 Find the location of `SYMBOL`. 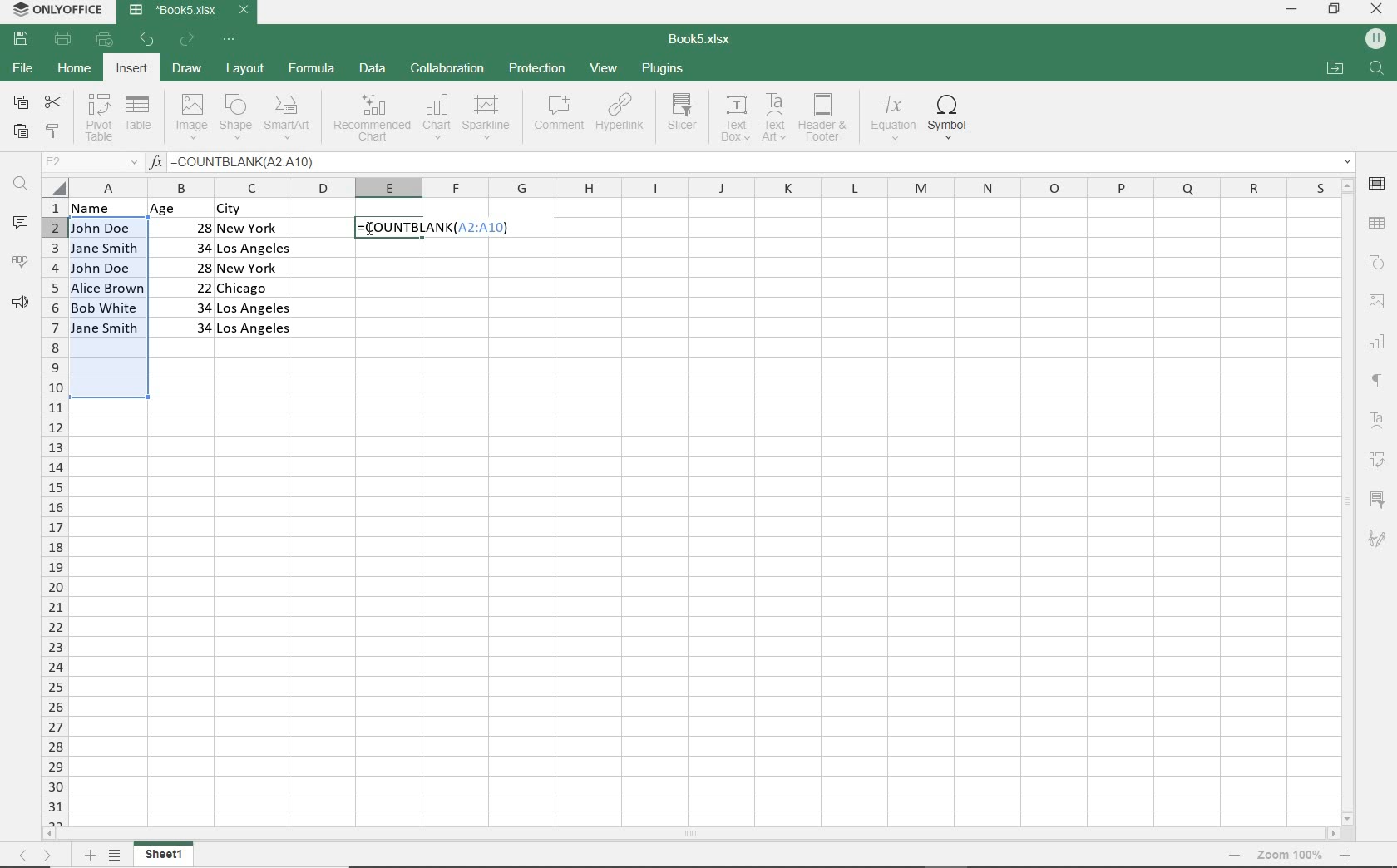

SYMBOL is located at coordinates (953, 117).